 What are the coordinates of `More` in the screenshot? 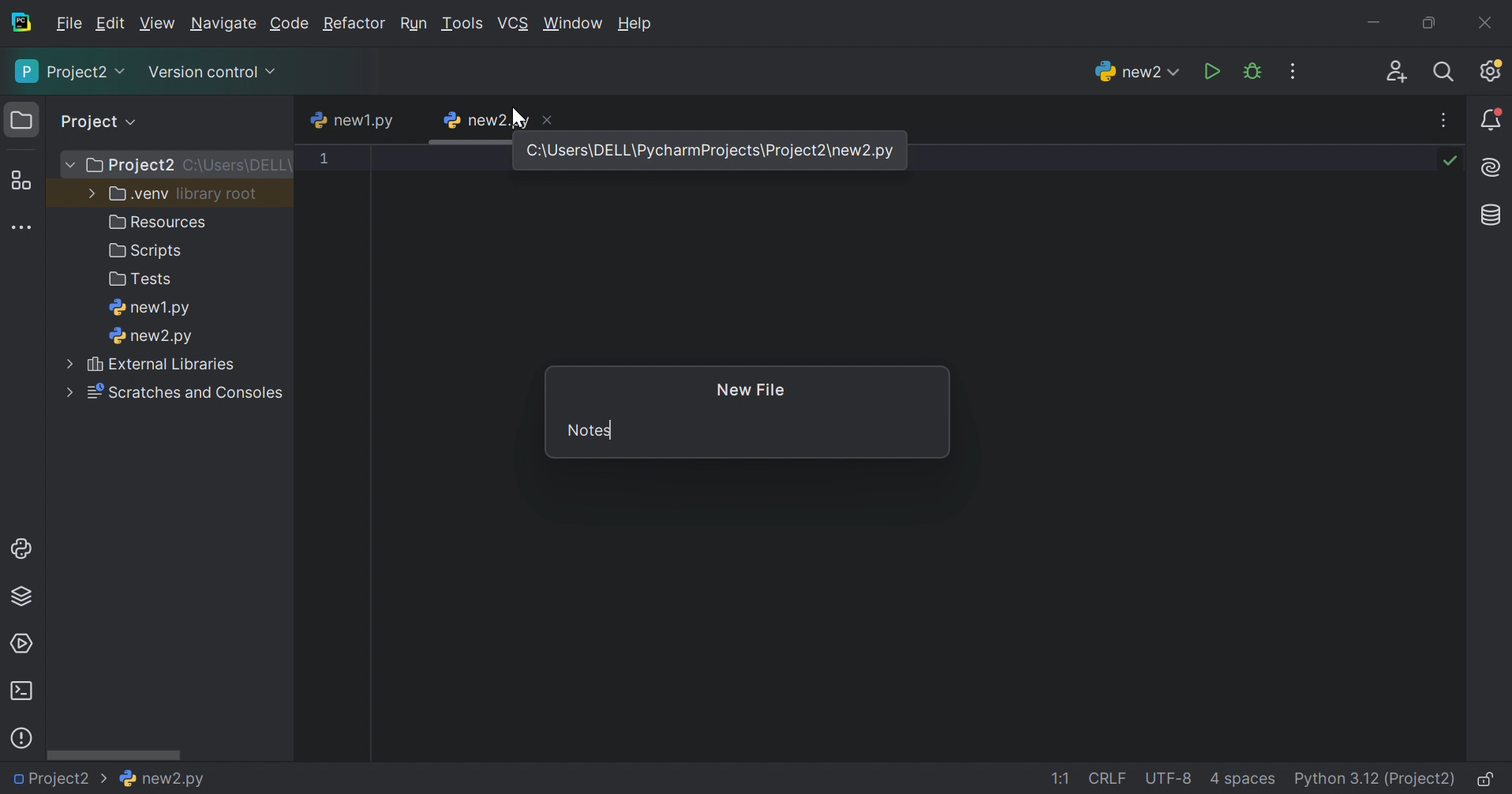 It's located at (67, 164).